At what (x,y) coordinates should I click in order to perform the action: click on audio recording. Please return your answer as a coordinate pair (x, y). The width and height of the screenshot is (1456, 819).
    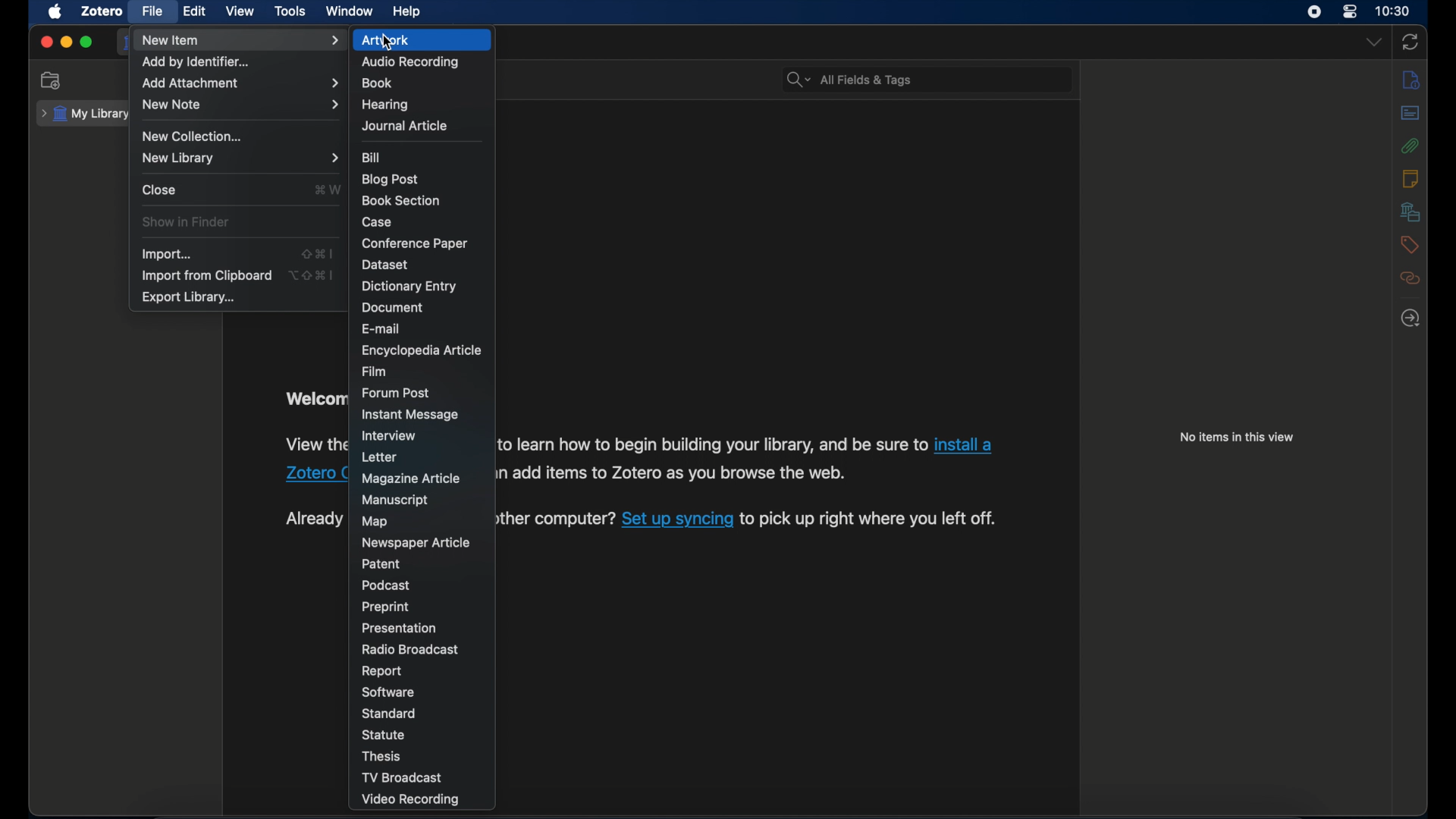
    Looking at the image, I should click on (409, 62).